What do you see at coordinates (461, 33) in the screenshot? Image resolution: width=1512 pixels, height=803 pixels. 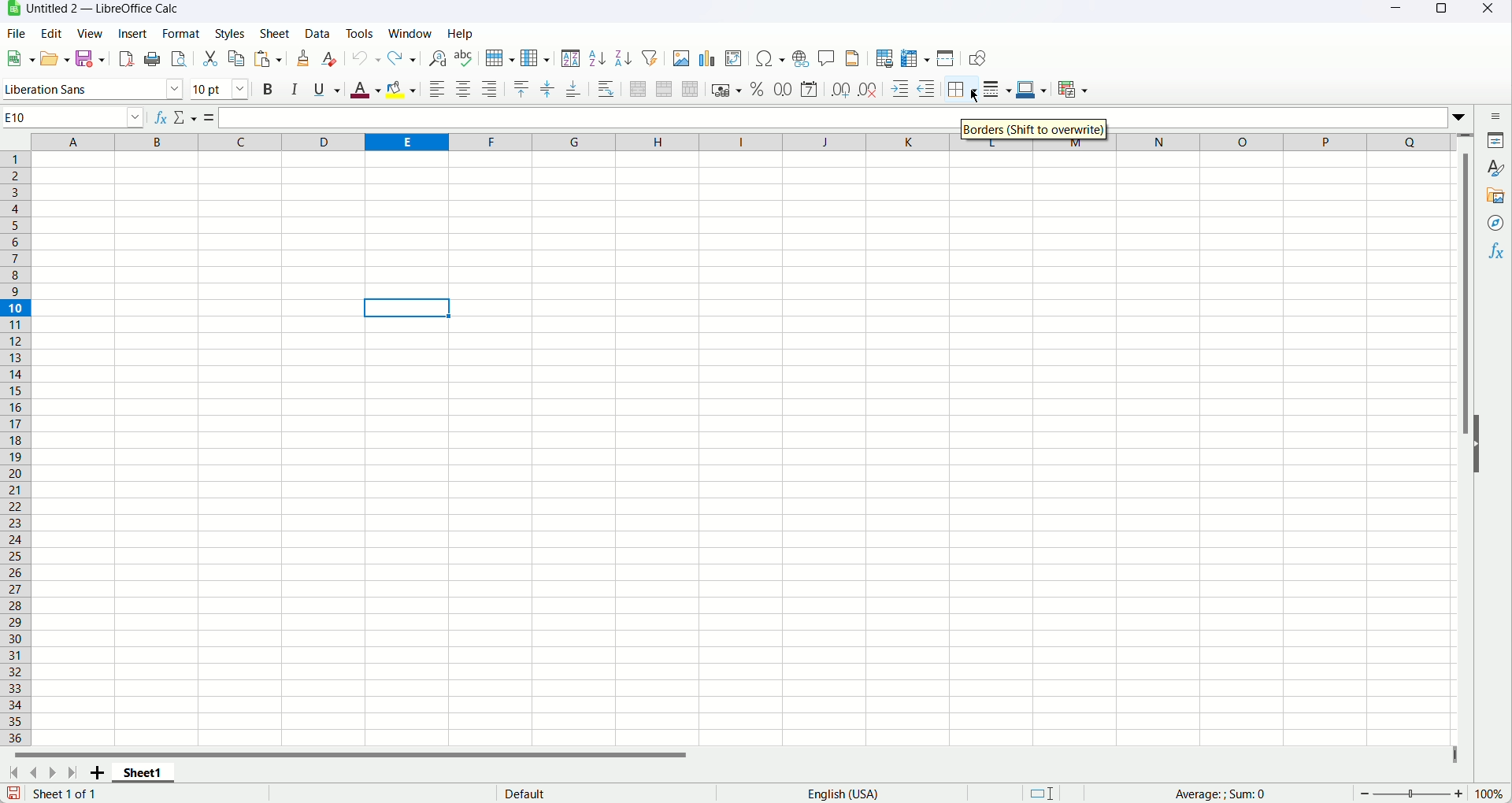 I see `Help` at bounding box center [461, 33].